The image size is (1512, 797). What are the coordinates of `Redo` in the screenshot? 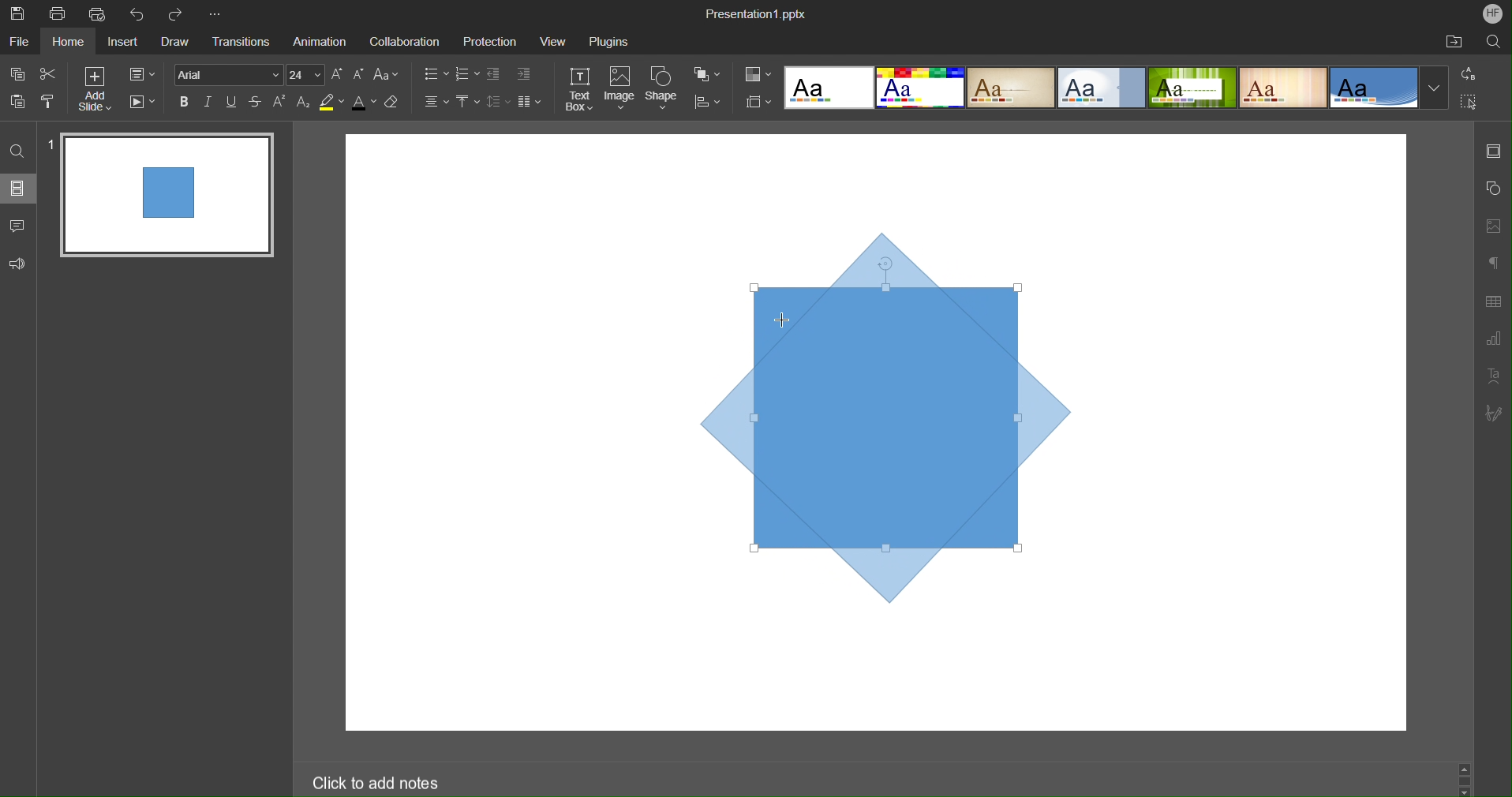 It's located at (176, 11).